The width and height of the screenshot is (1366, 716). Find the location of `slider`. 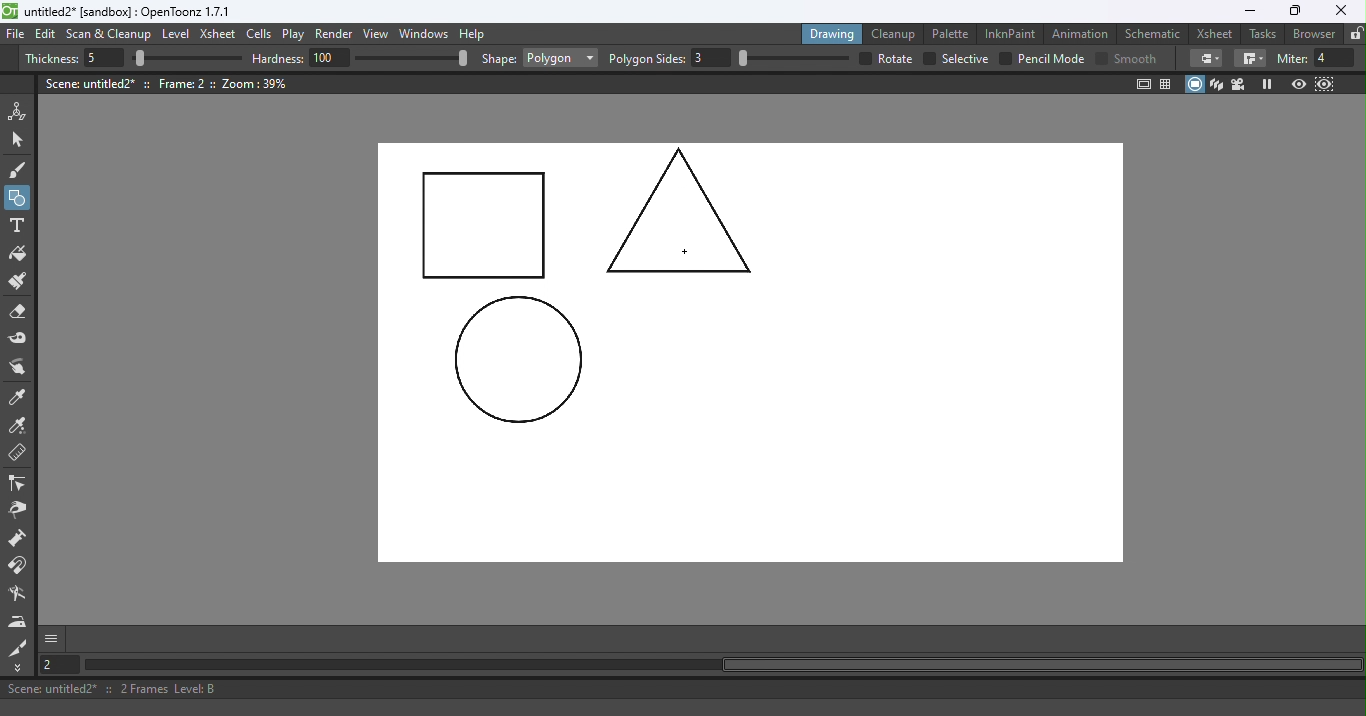

slider is located at coordinates (411, 57).